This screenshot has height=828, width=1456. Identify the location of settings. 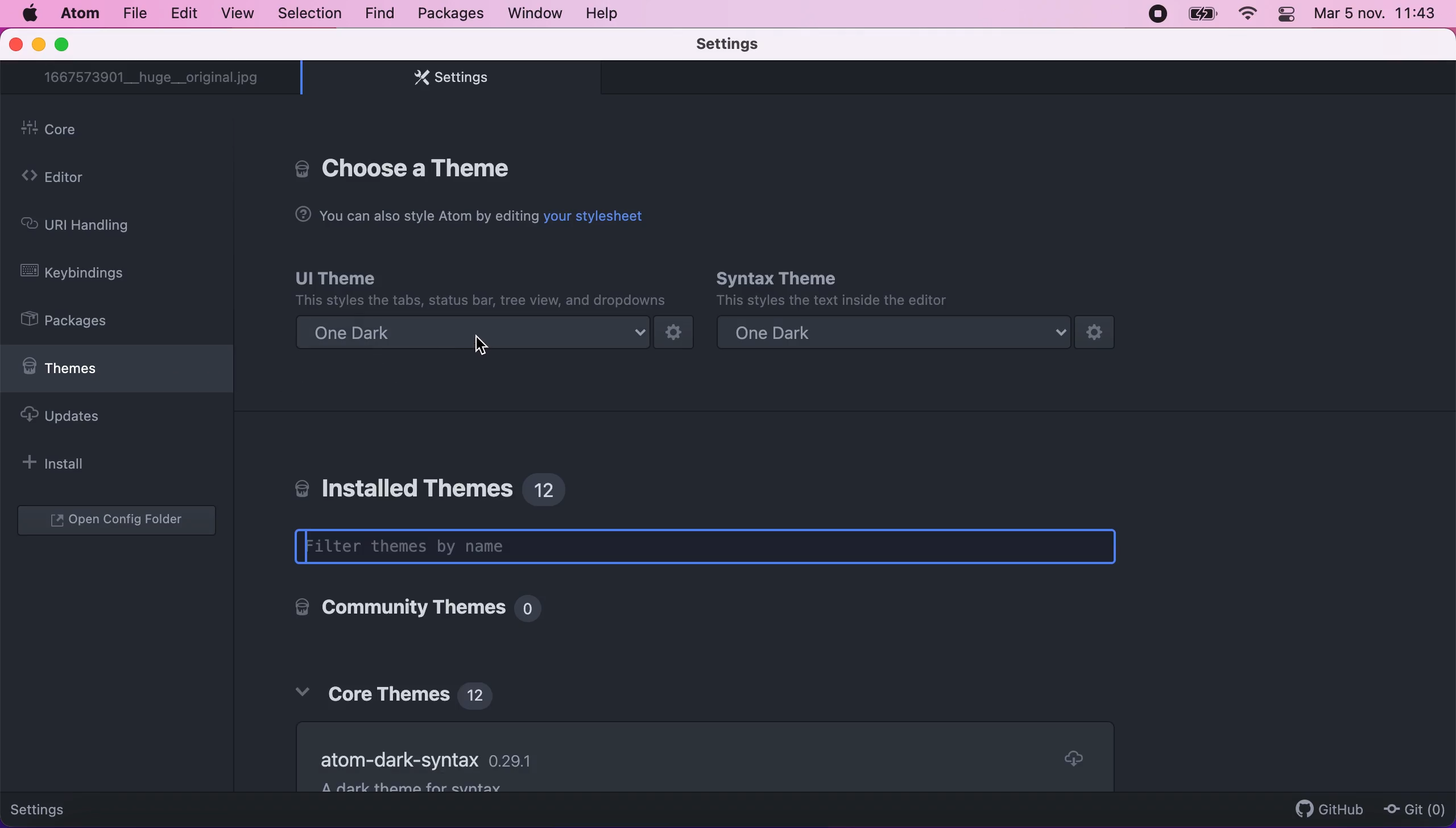
(447, 81).